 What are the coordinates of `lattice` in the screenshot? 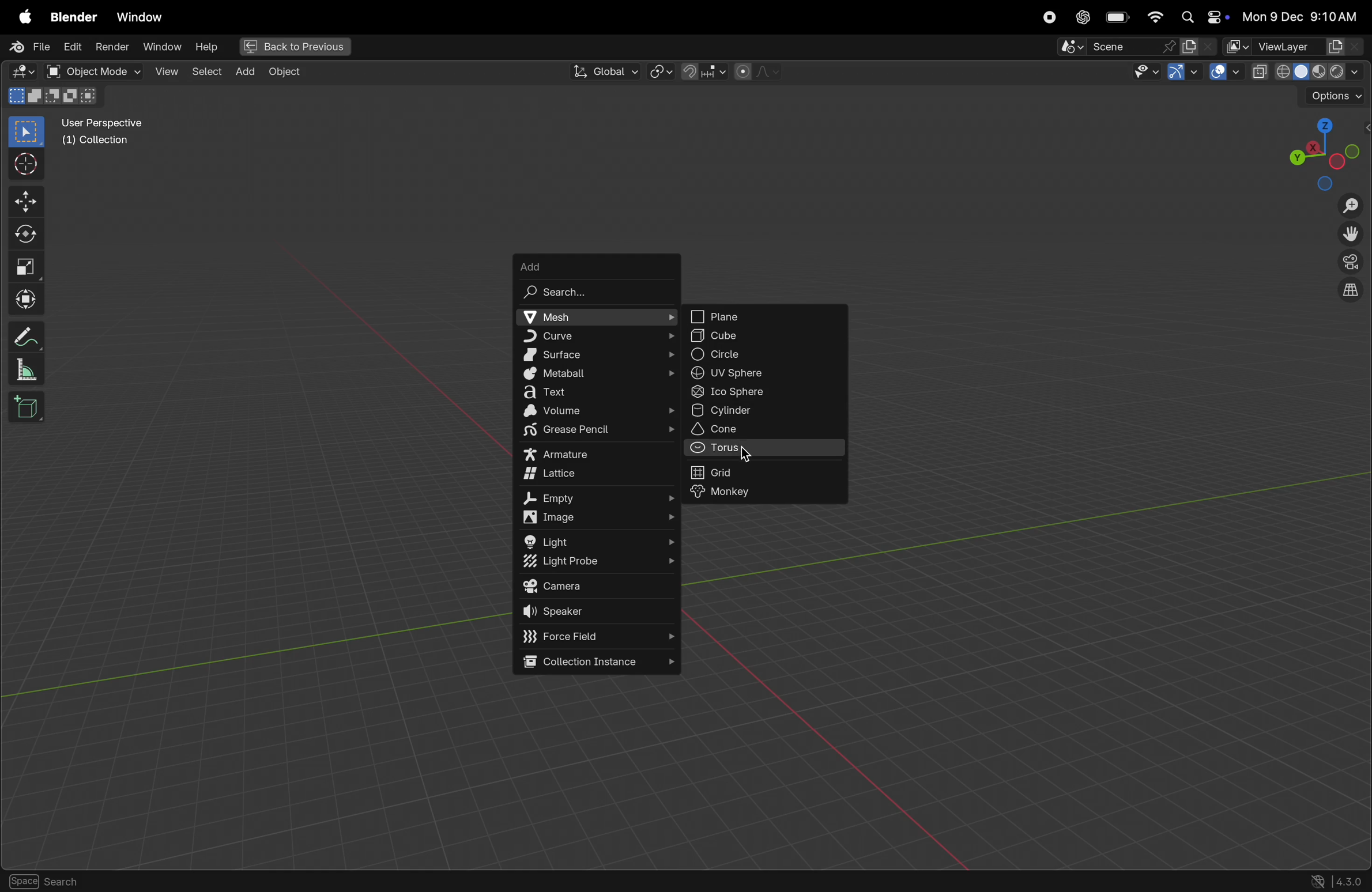 It's located at (597, 477).